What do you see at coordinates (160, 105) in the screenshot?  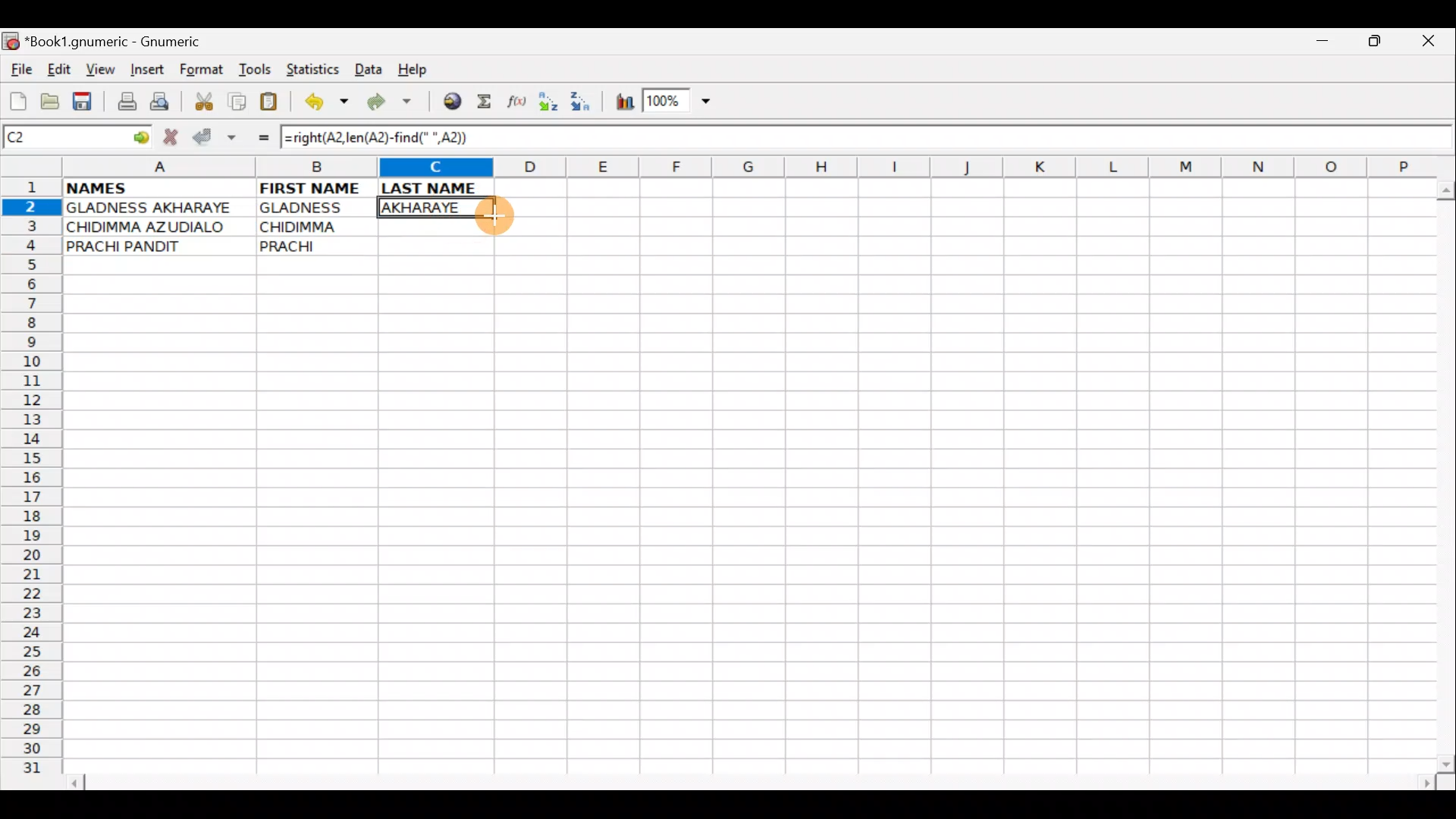 I see `Print preview` at bounding box center [160, 105].